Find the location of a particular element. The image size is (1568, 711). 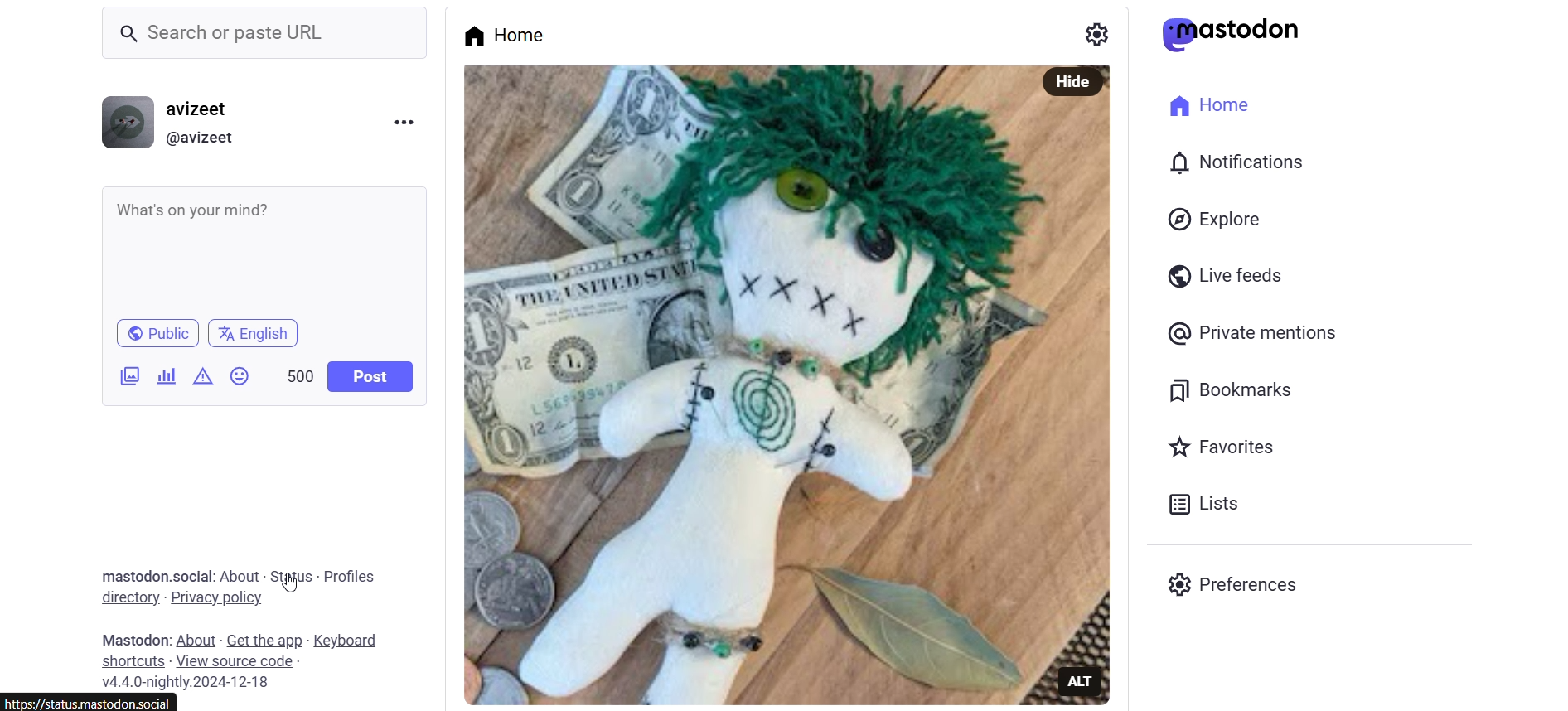

about is located at coordinates (197, 636).